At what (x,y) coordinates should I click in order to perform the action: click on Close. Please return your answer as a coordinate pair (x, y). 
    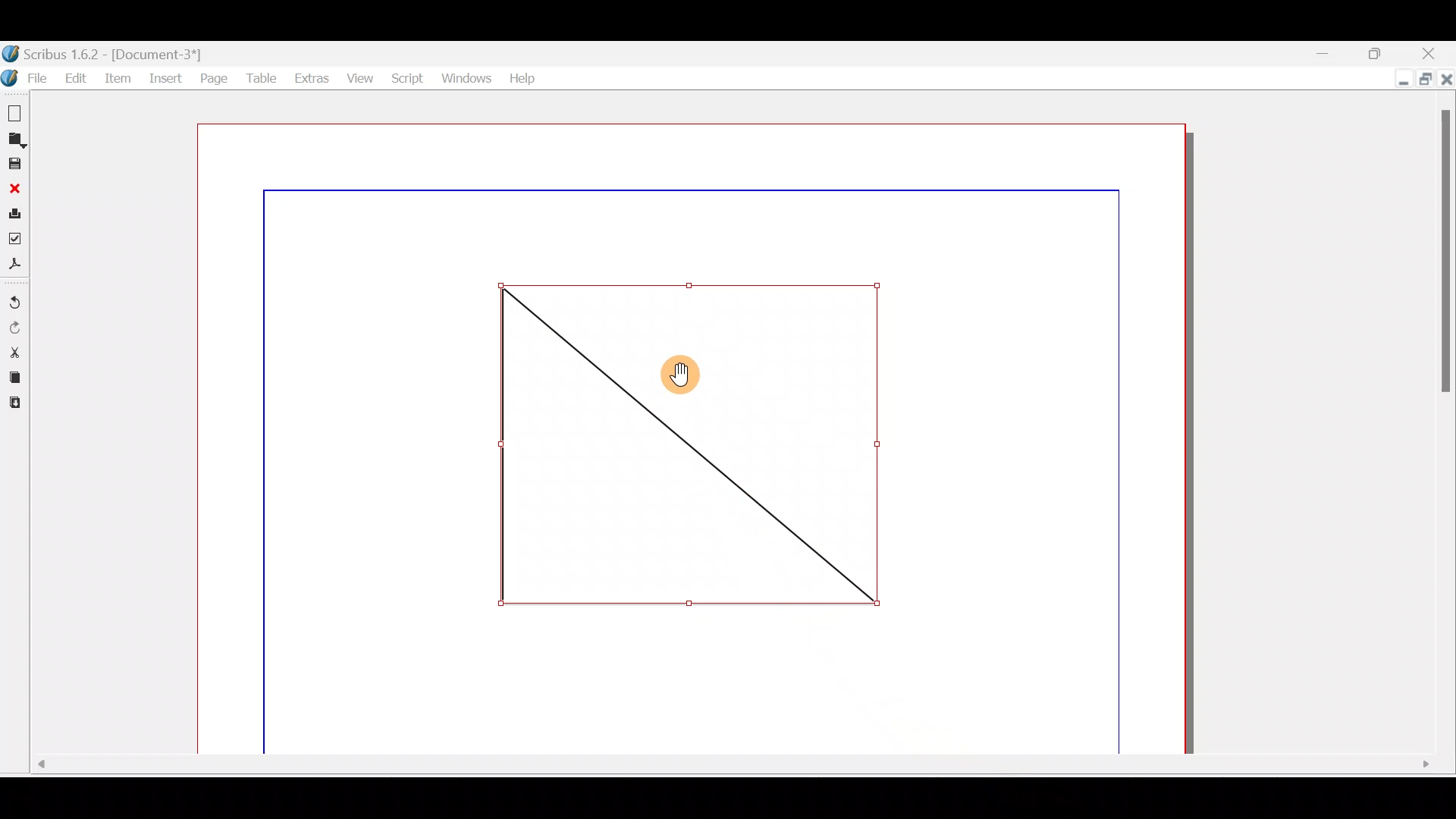
    Looking at the image, I should click on (13, 187).